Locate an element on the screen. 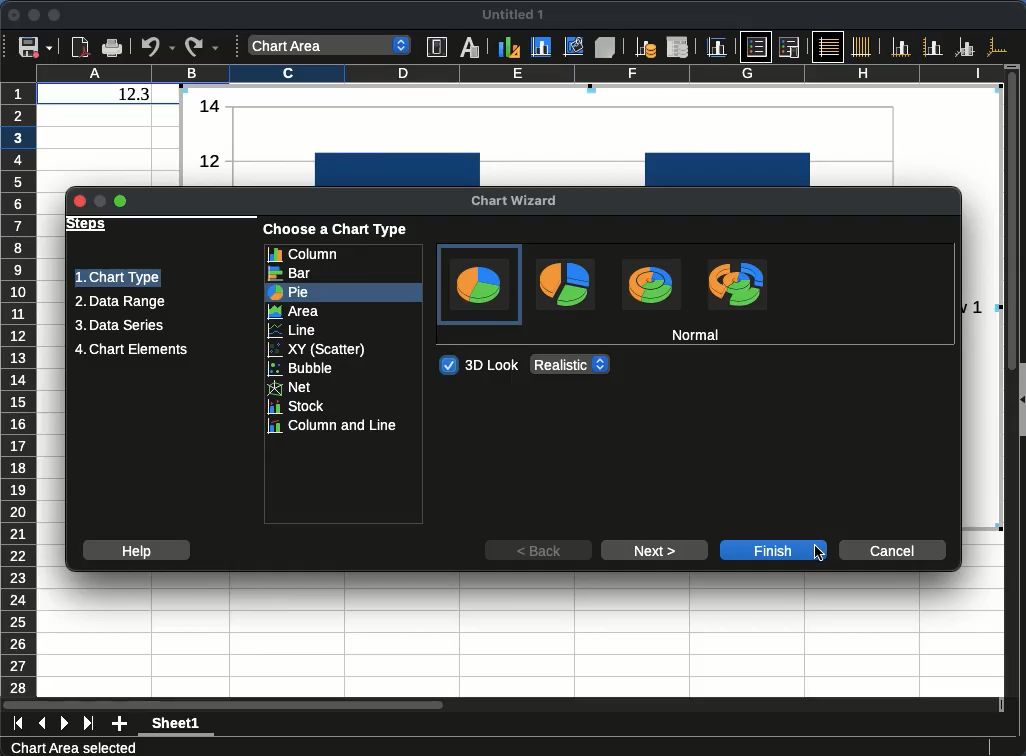 The width and height of the screenshot is (1026, 756). cancel is located at coordinates (893, 550).